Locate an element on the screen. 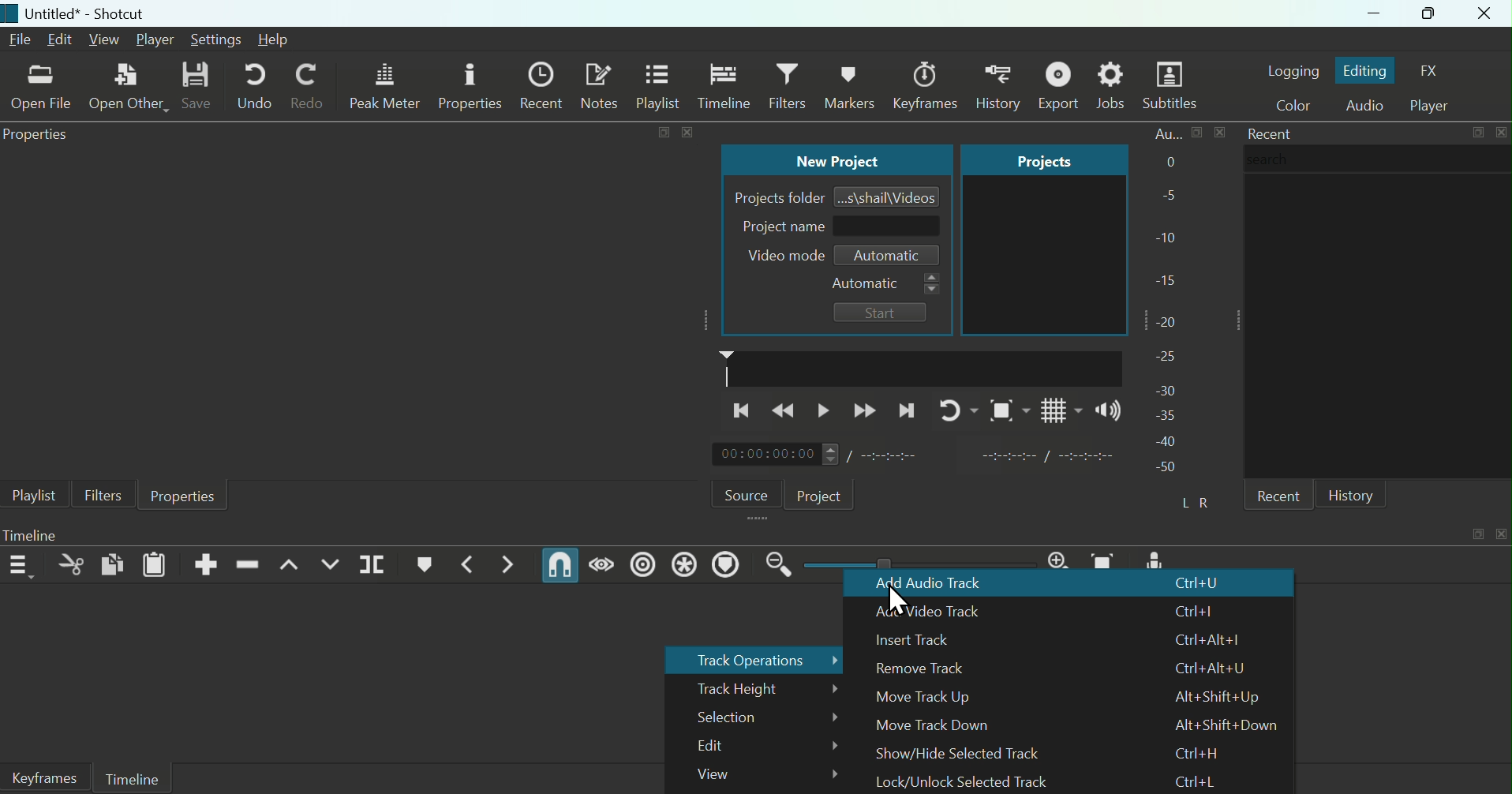 This screenshot has height=794, width=1512. Minimize is located at coordinates (1358, 14).